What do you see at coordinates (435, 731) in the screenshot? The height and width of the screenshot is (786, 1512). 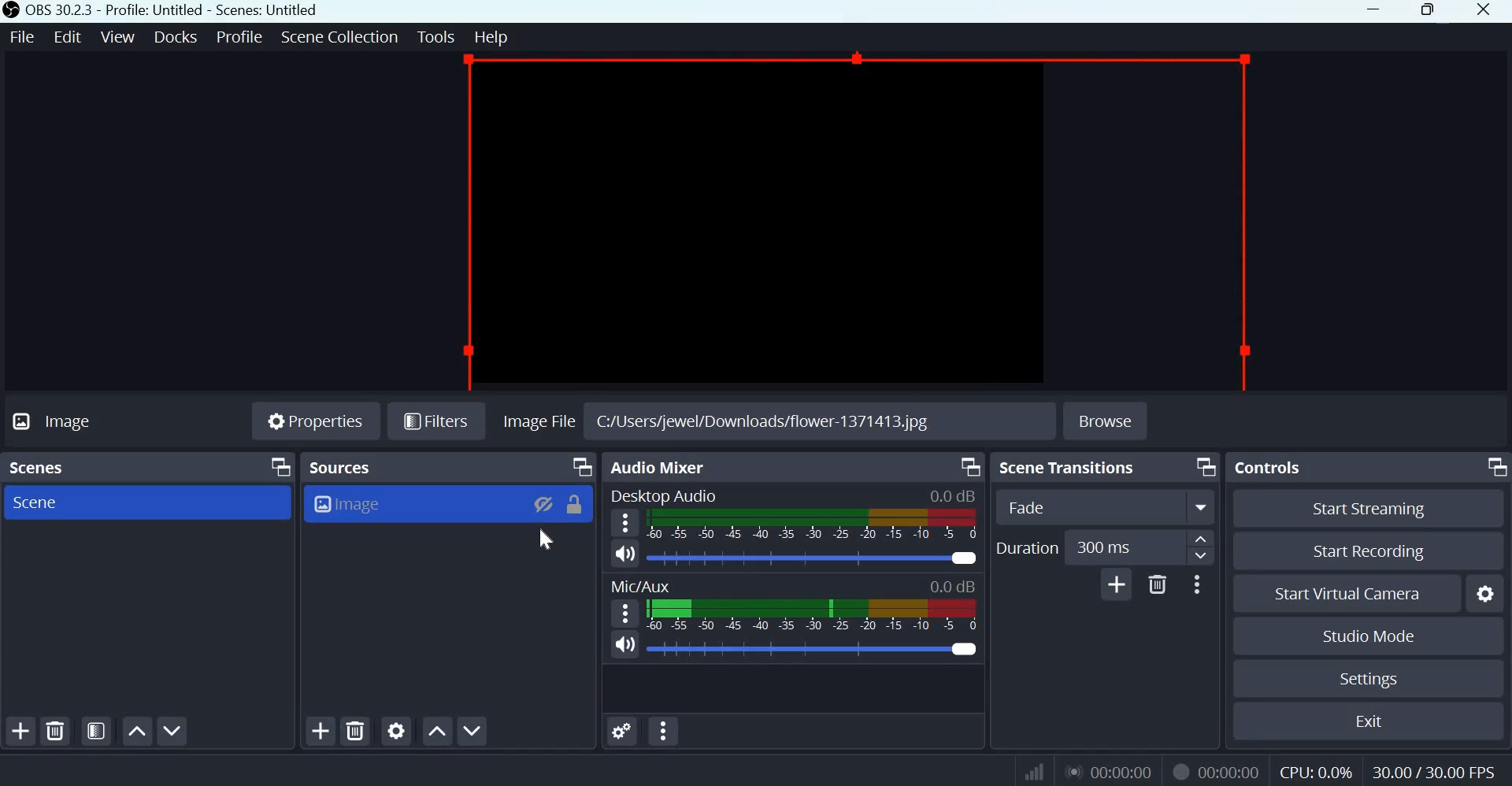 I see `go source(s) up` at bounding box center [435, 731].